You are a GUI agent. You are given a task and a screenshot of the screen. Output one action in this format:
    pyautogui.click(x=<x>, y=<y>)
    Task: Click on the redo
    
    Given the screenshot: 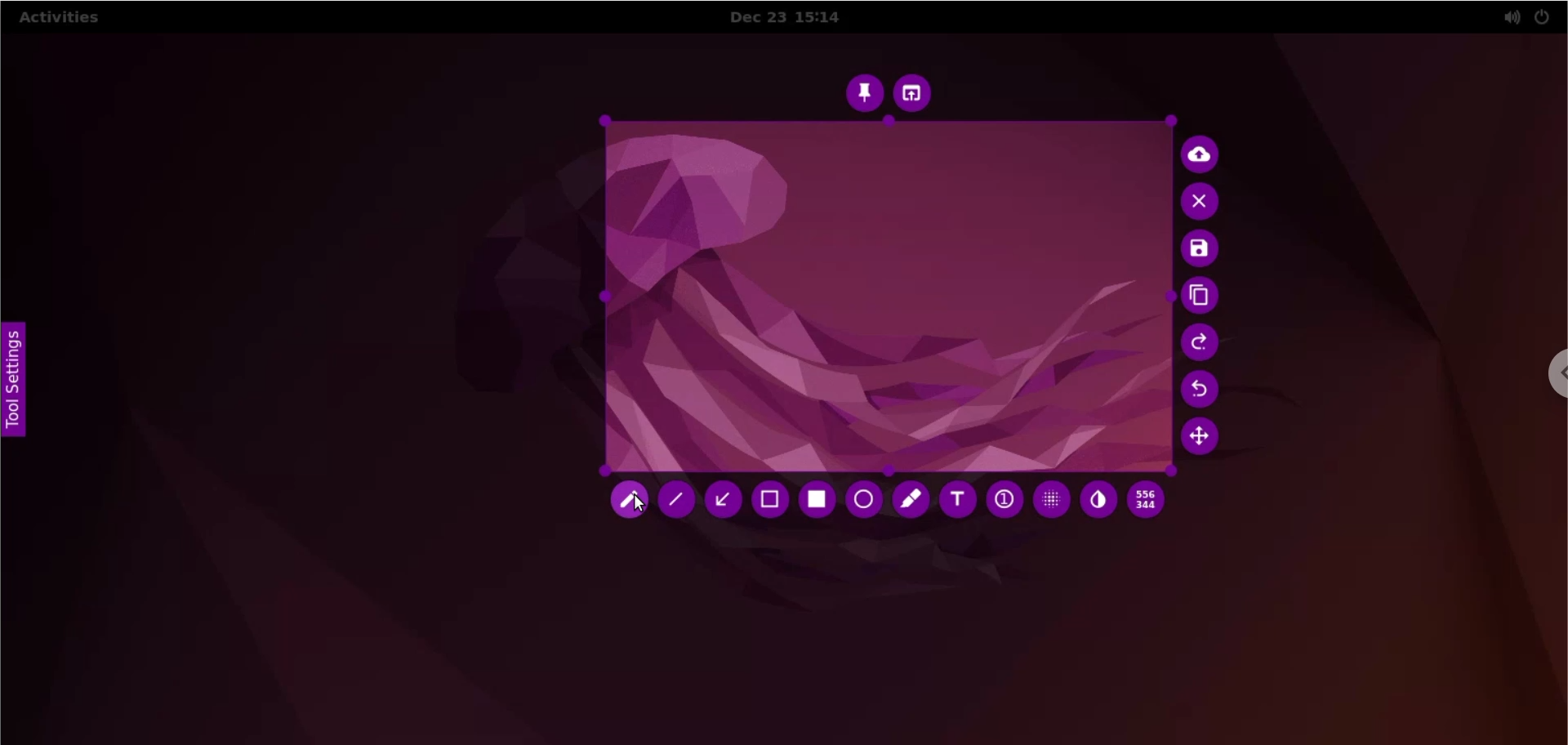 What is the action you would take?
    pyautogui.click(x=1202, y=346)
    